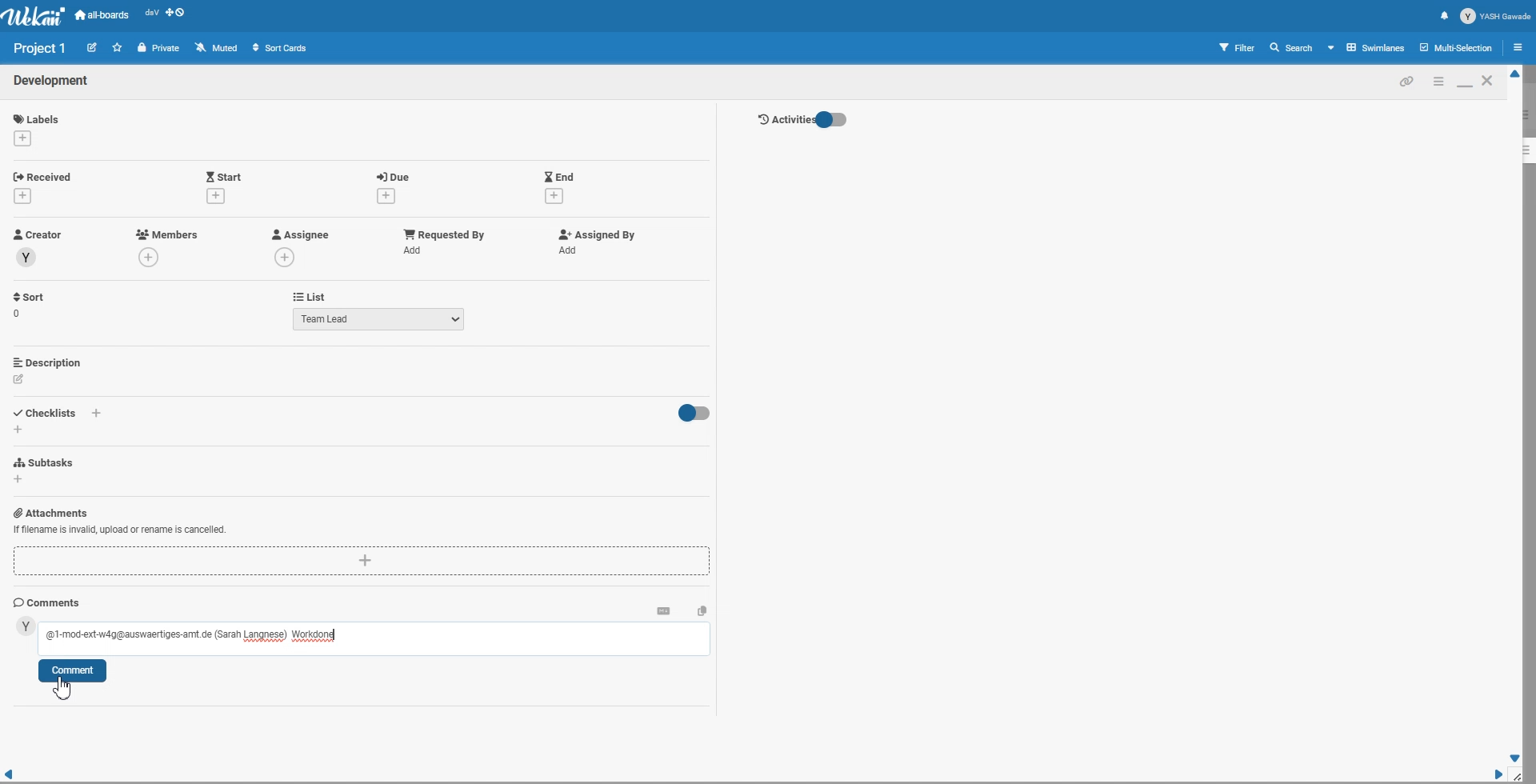 The width and height of the screenshot is (1536, 784). Describe the element at coordinates (26, 195) in the screenshot. I see `add` at that location.